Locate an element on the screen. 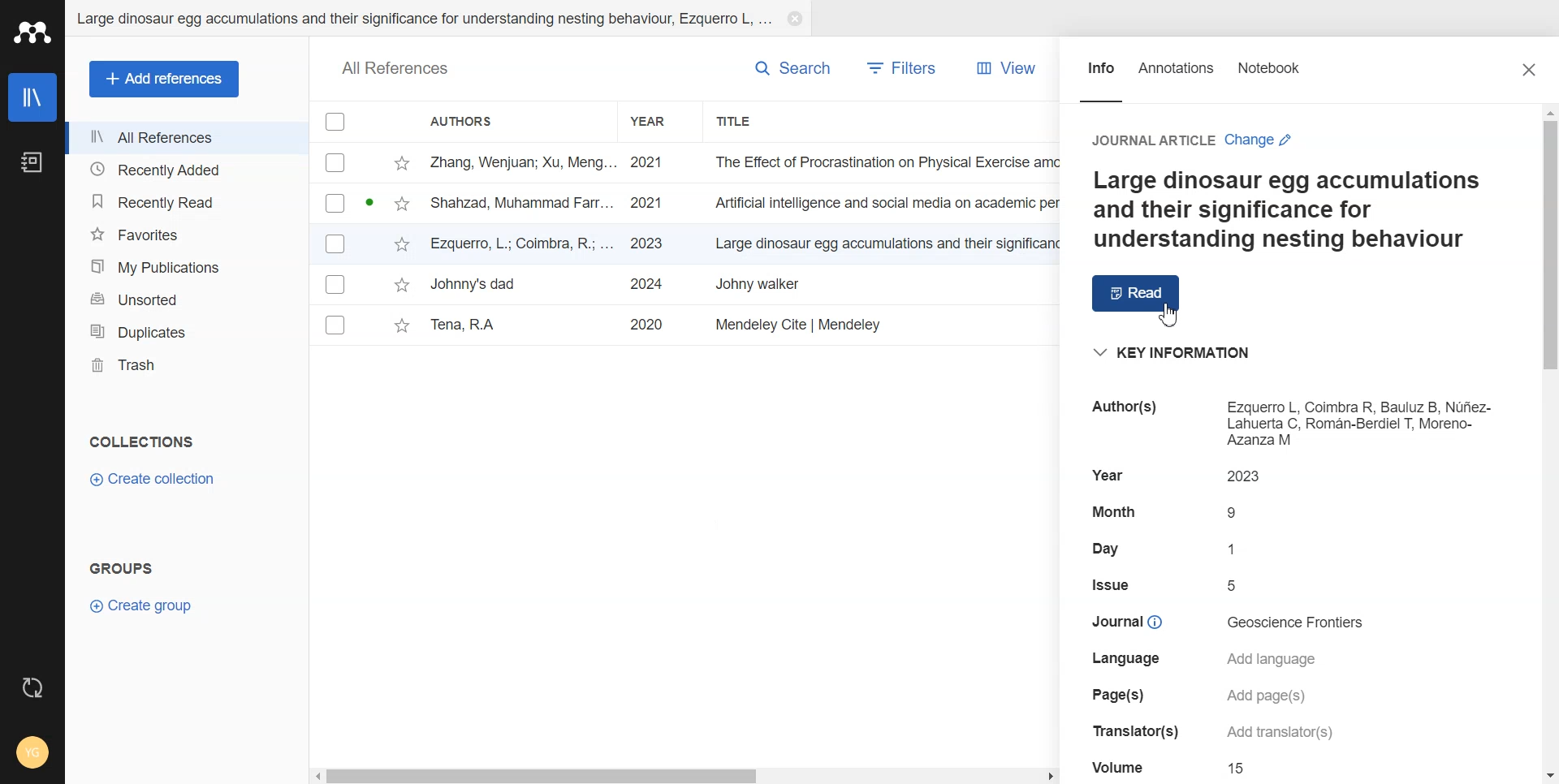 The width and height of the screenshot is (1559, 784). Account is located at coordinates (30, 754).